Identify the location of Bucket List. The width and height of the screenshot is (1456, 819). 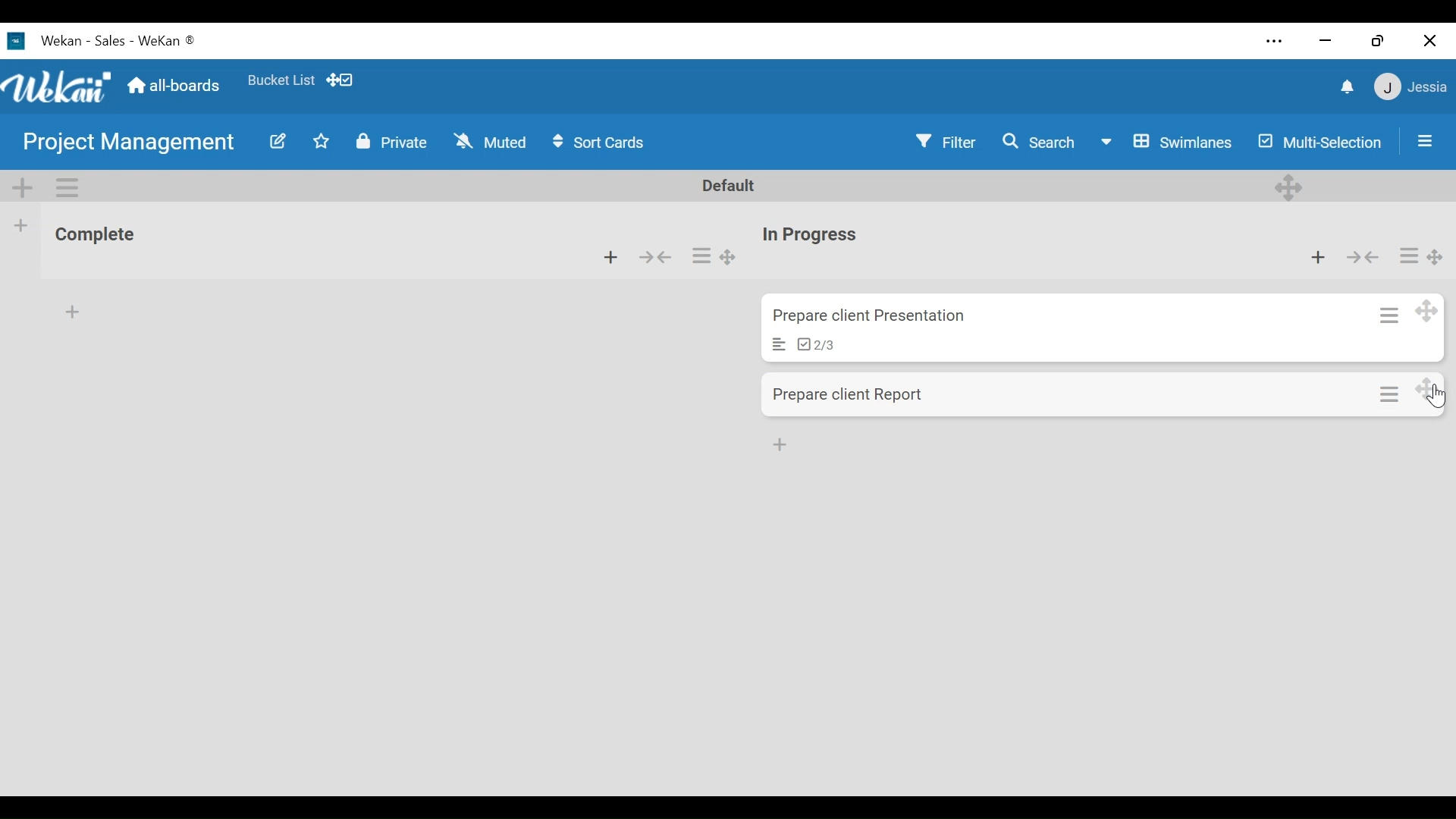
(281, 79).